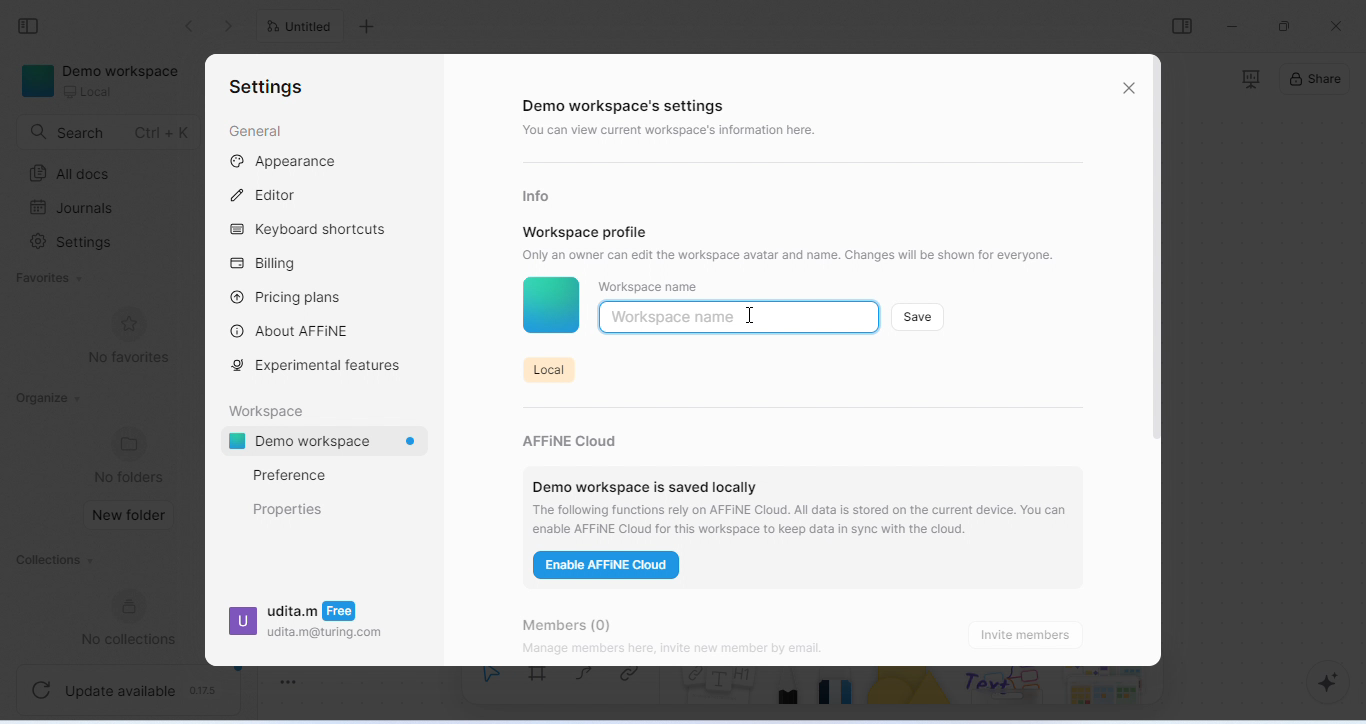  Describe the element at coordinates (289, 509) in the screenshot. I see `properties` at that location.